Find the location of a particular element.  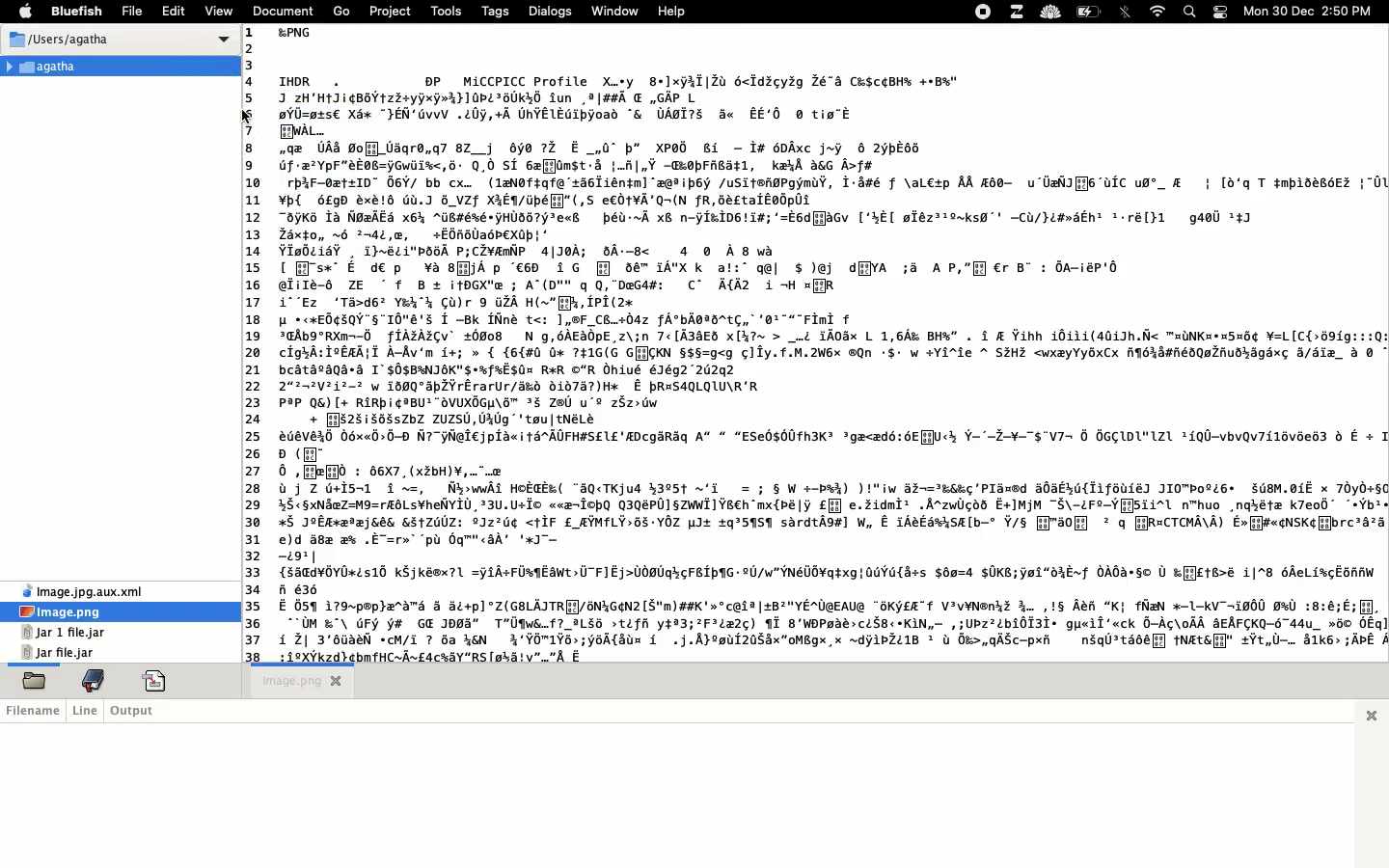

bookmark is located at coordinates (91, 683).